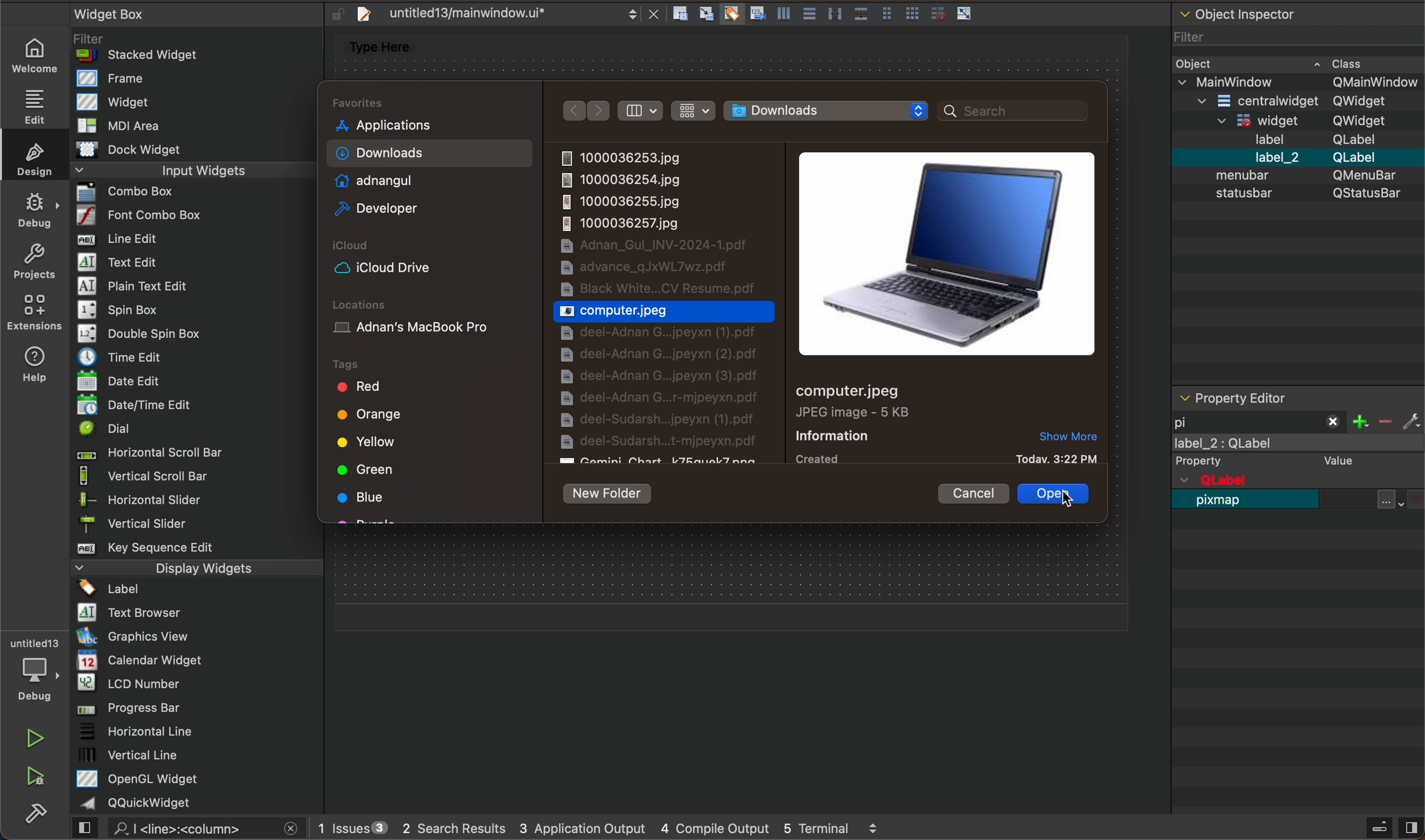 The width and height of the screenshot is (1425, 840). Describe the element at coordinates (1223, 506) in the screenshot. I see `pixmap` at that location.